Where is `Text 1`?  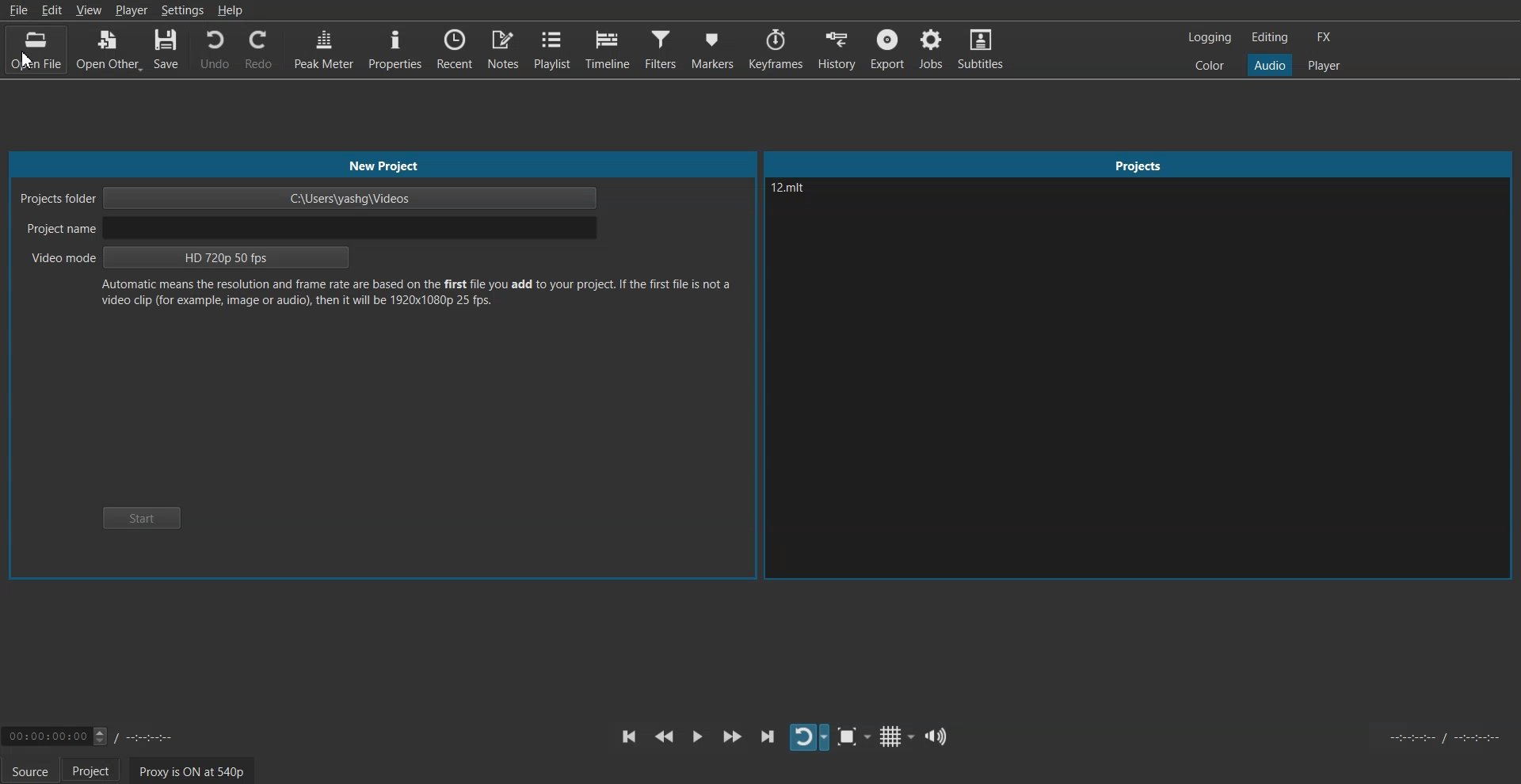
Text 1 is located at coordinates (811, 204).